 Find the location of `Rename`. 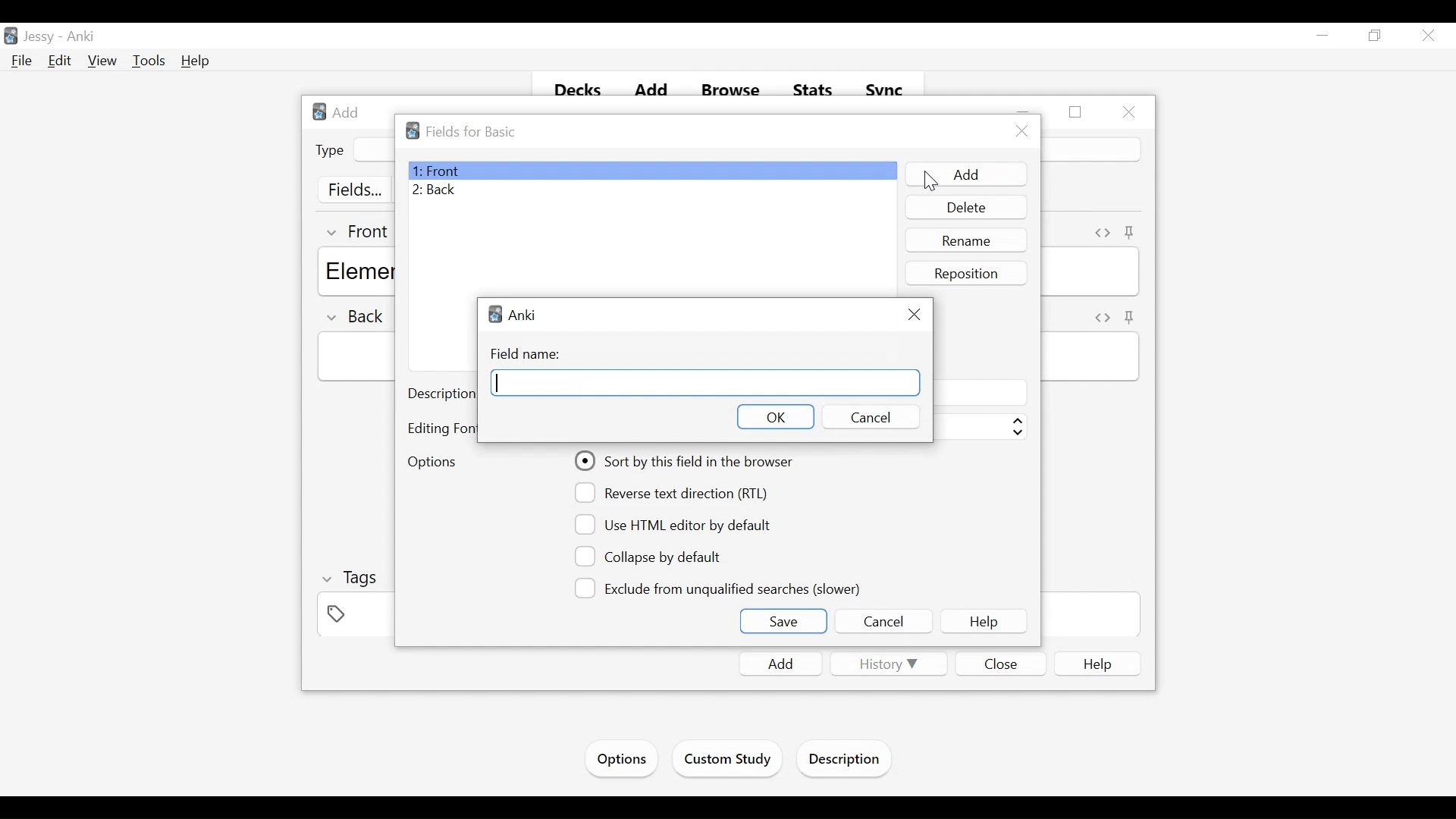

Rename is located at coordinates (966, 241).